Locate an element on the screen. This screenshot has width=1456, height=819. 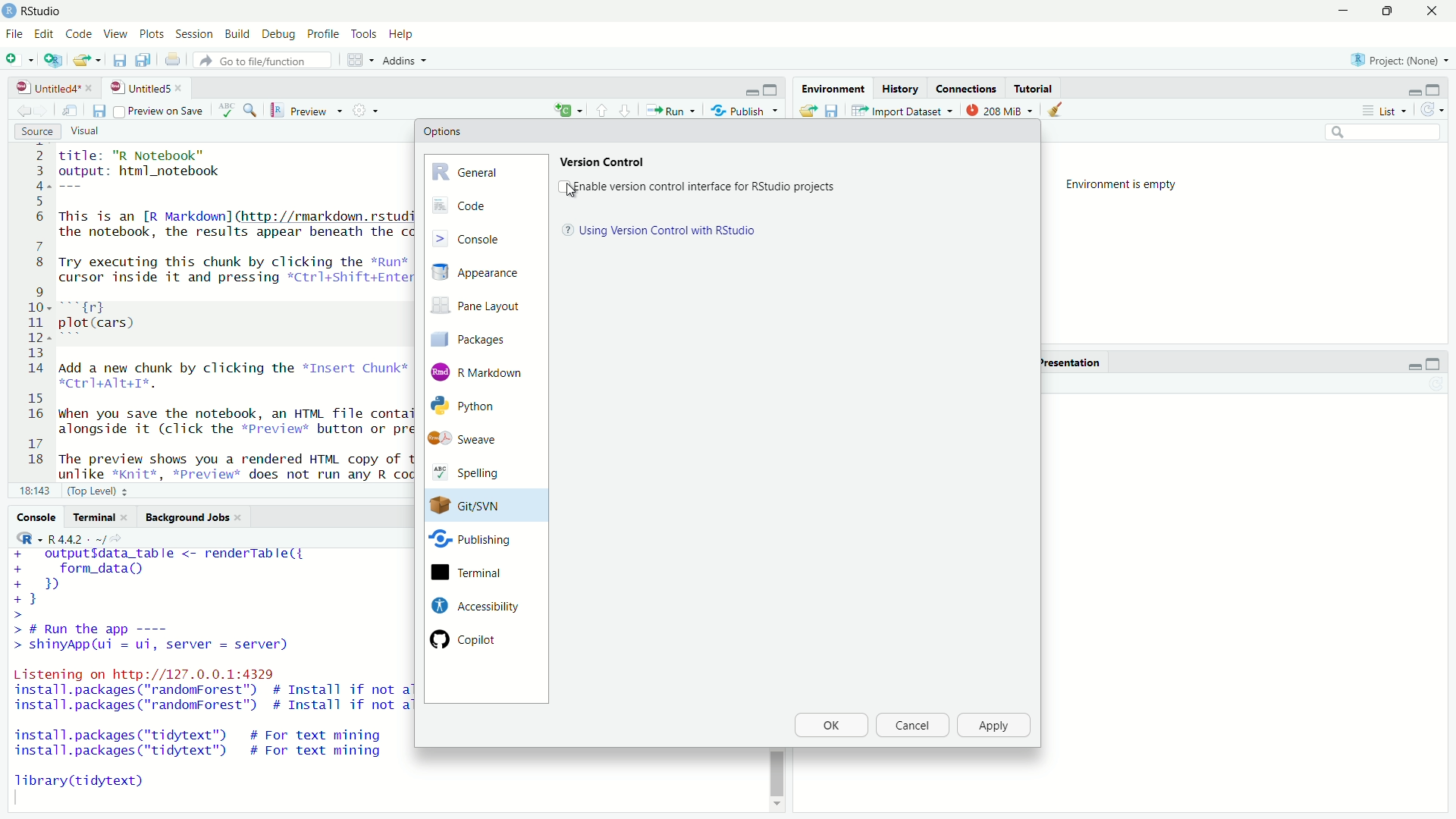
Project: (None)  is located at coordinates (1395, 58).